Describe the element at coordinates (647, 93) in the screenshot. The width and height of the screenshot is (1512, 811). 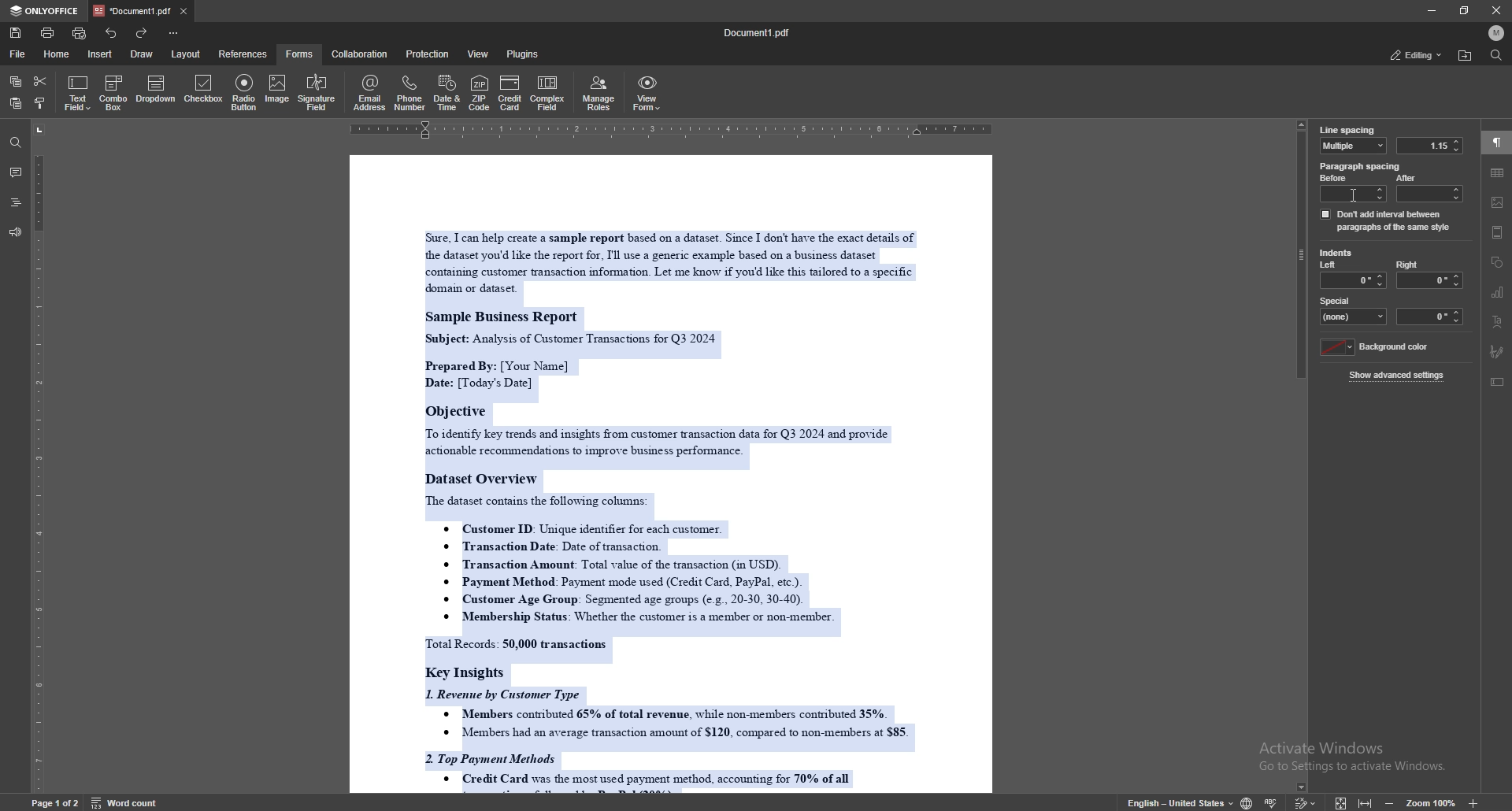
I see `view form` at that location.